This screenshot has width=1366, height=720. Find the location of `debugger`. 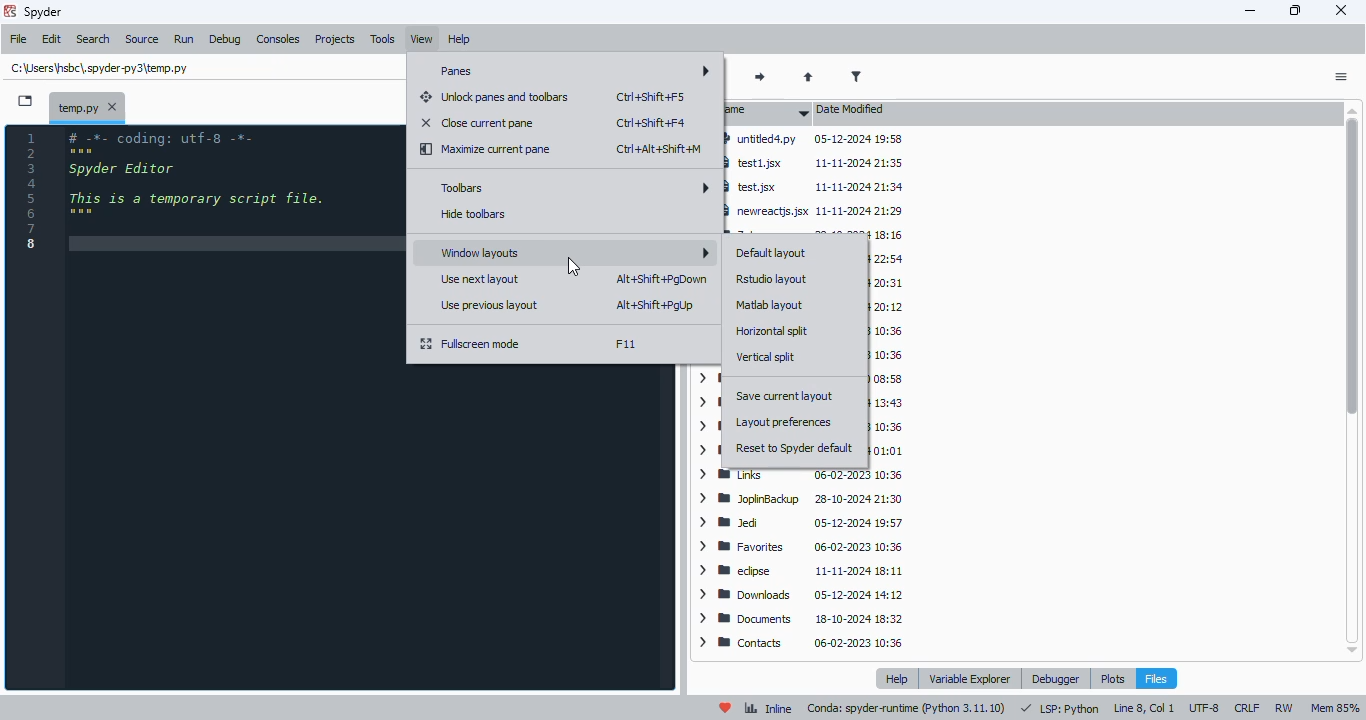

debugger is located at coordinates (1056, 679).